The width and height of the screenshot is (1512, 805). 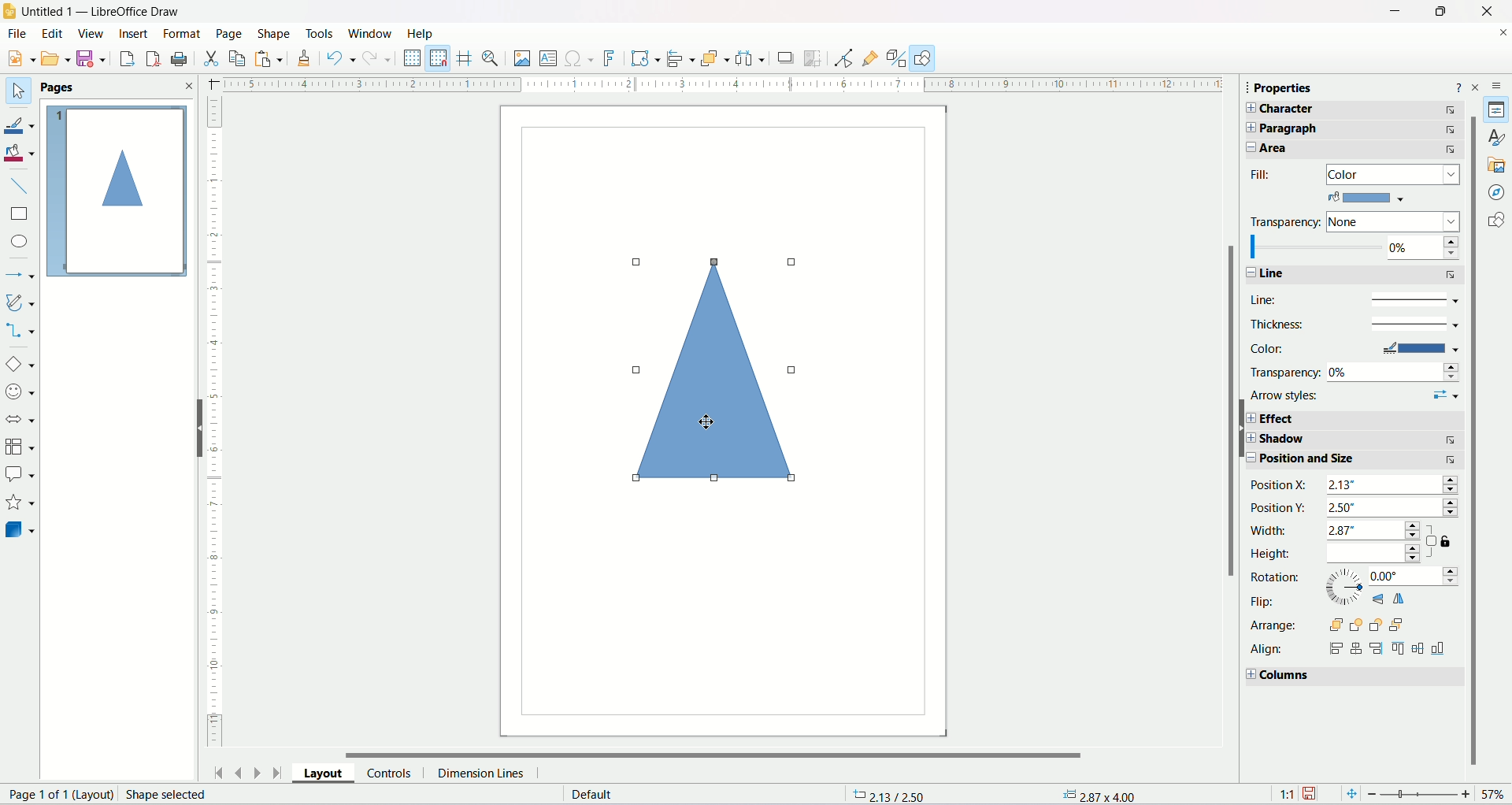 I want to click on Controls, so click(x=388, y=775).